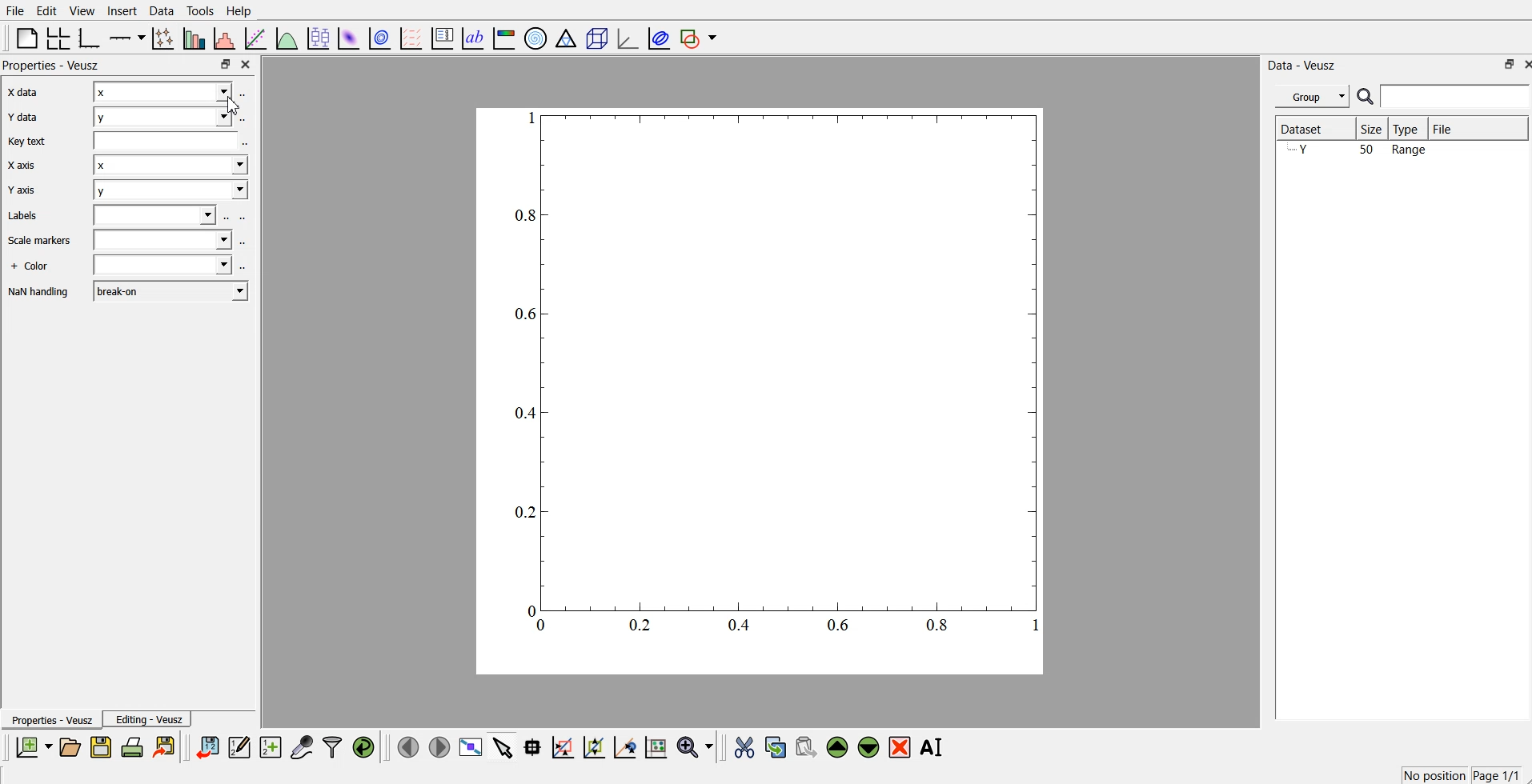  I want to click on fit a function, so click(258, 37).